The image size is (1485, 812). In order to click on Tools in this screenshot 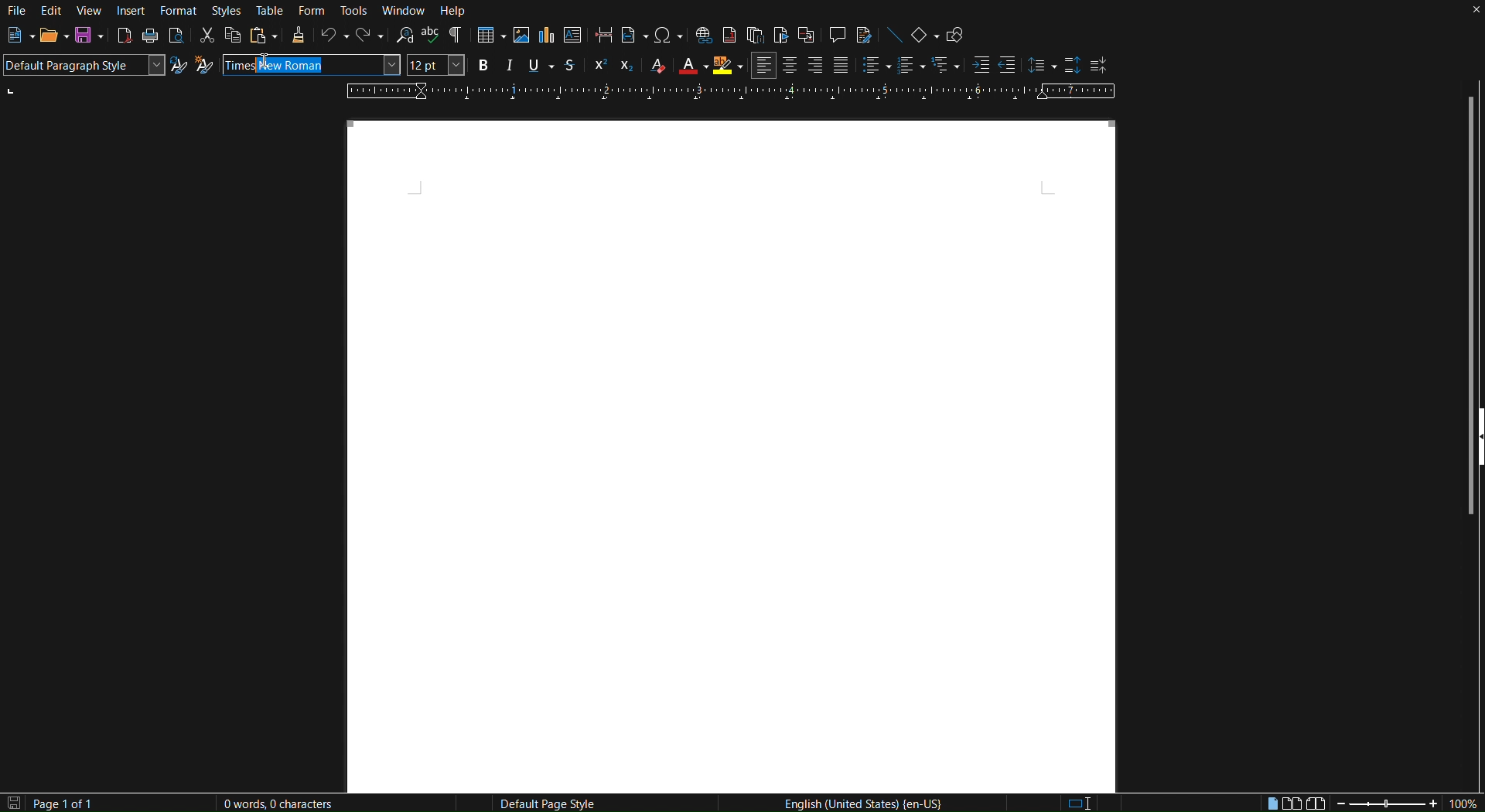, I will do `click(355, 11)`.